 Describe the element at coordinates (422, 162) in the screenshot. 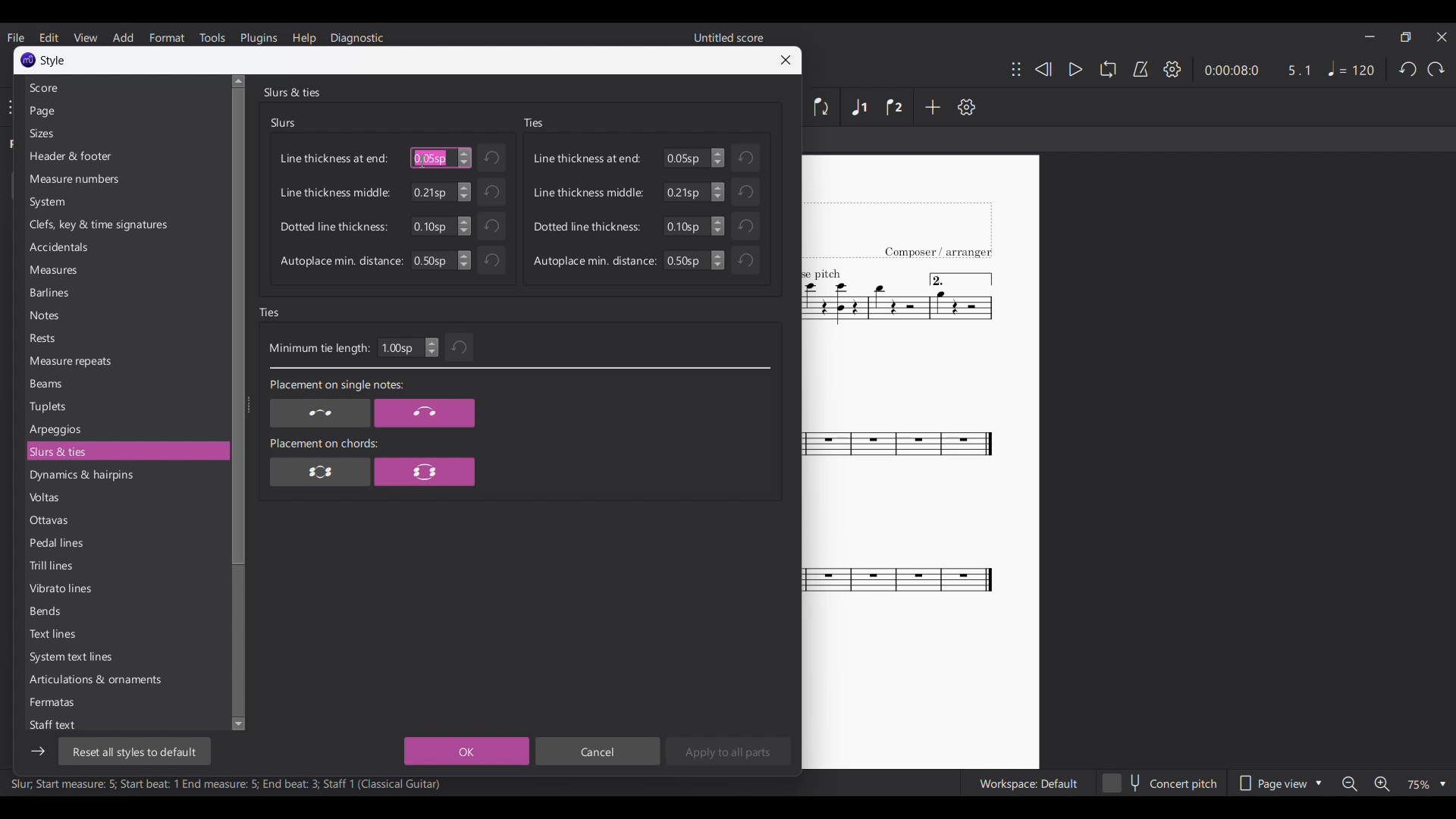

I see `Cursor` at that location.